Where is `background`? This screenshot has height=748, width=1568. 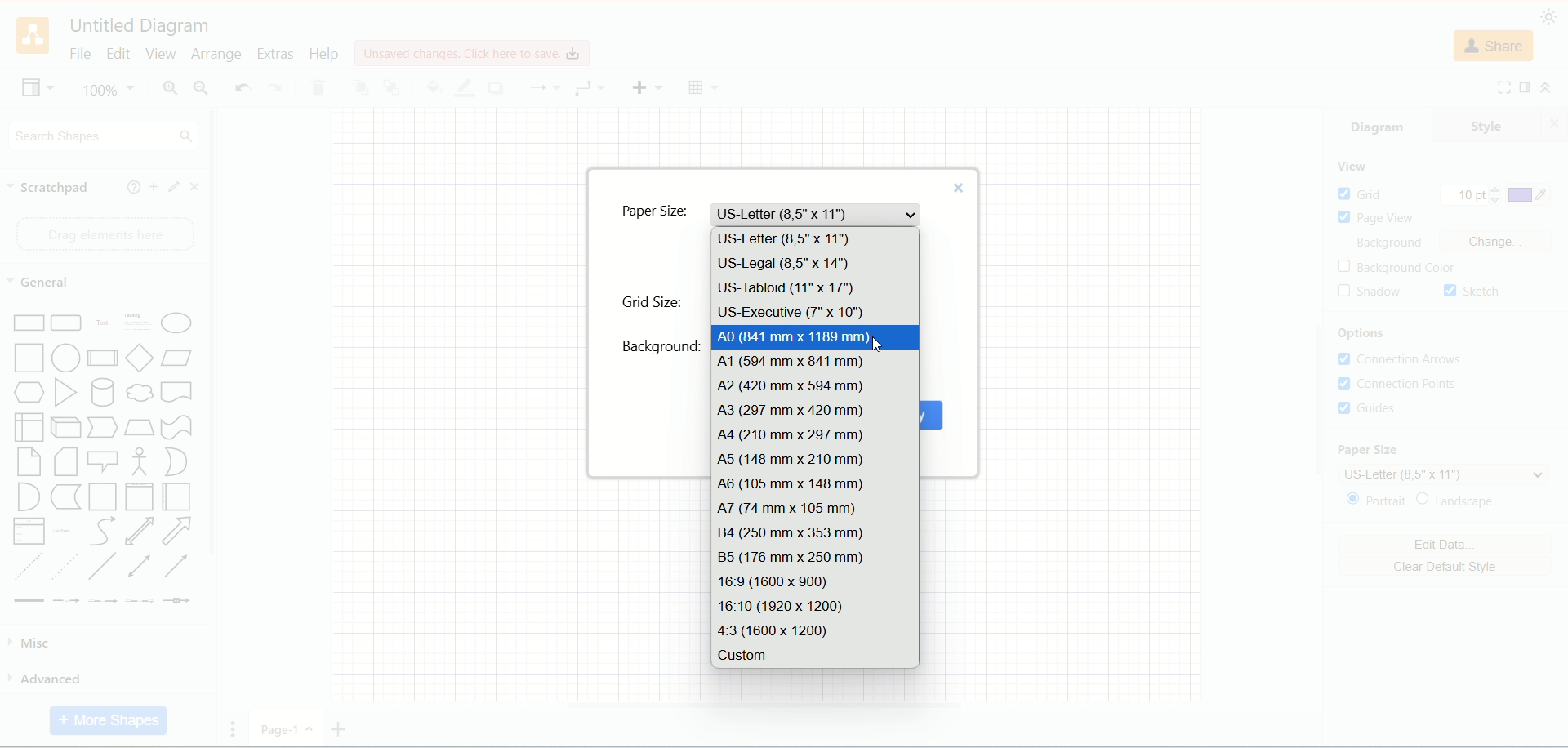 background is located at coordinates (662, 346).